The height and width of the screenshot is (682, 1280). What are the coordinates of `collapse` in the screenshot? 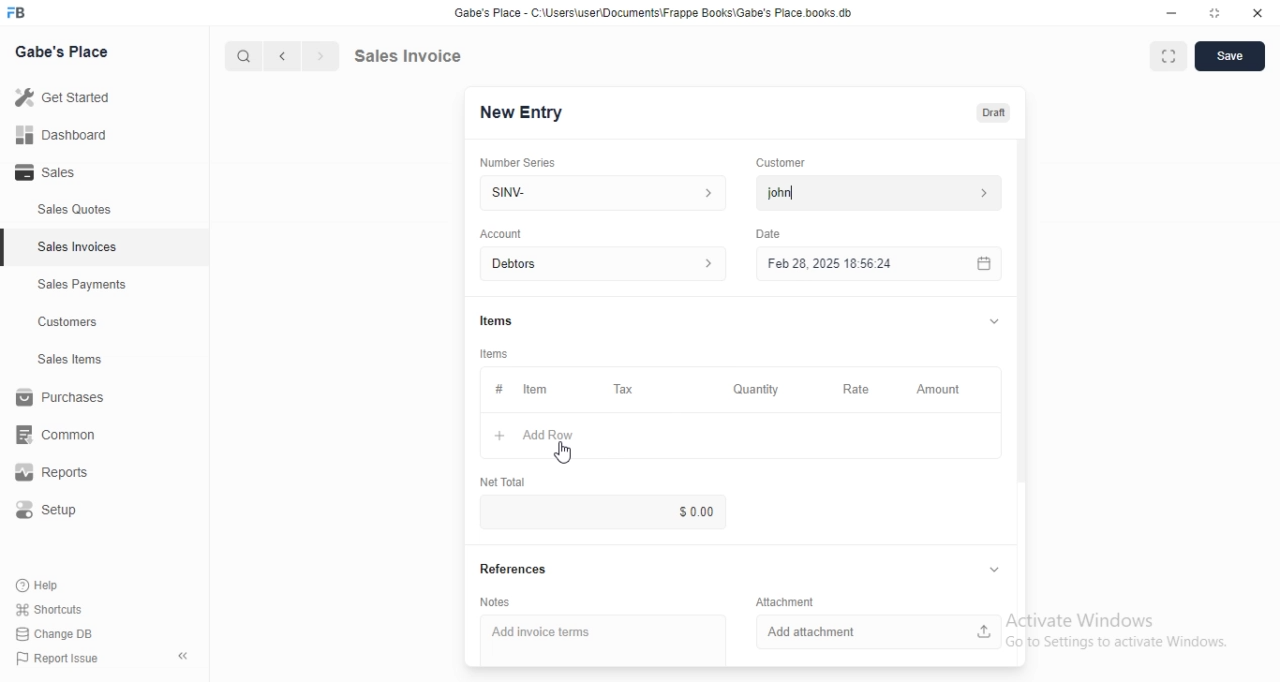 It's located at (185, 656).